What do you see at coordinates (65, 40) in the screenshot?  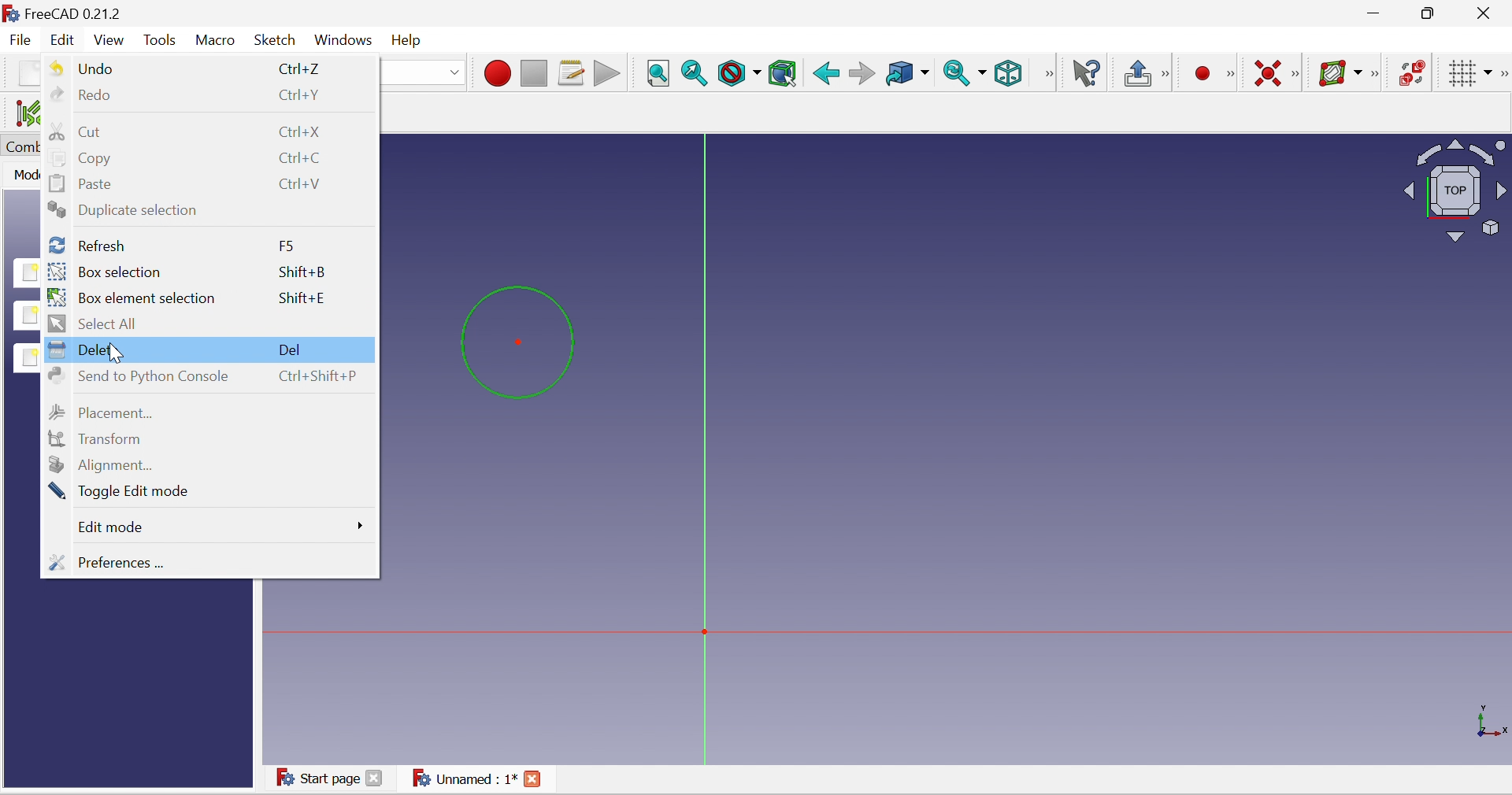 I see `Edit` at bounding box center [65, 40].